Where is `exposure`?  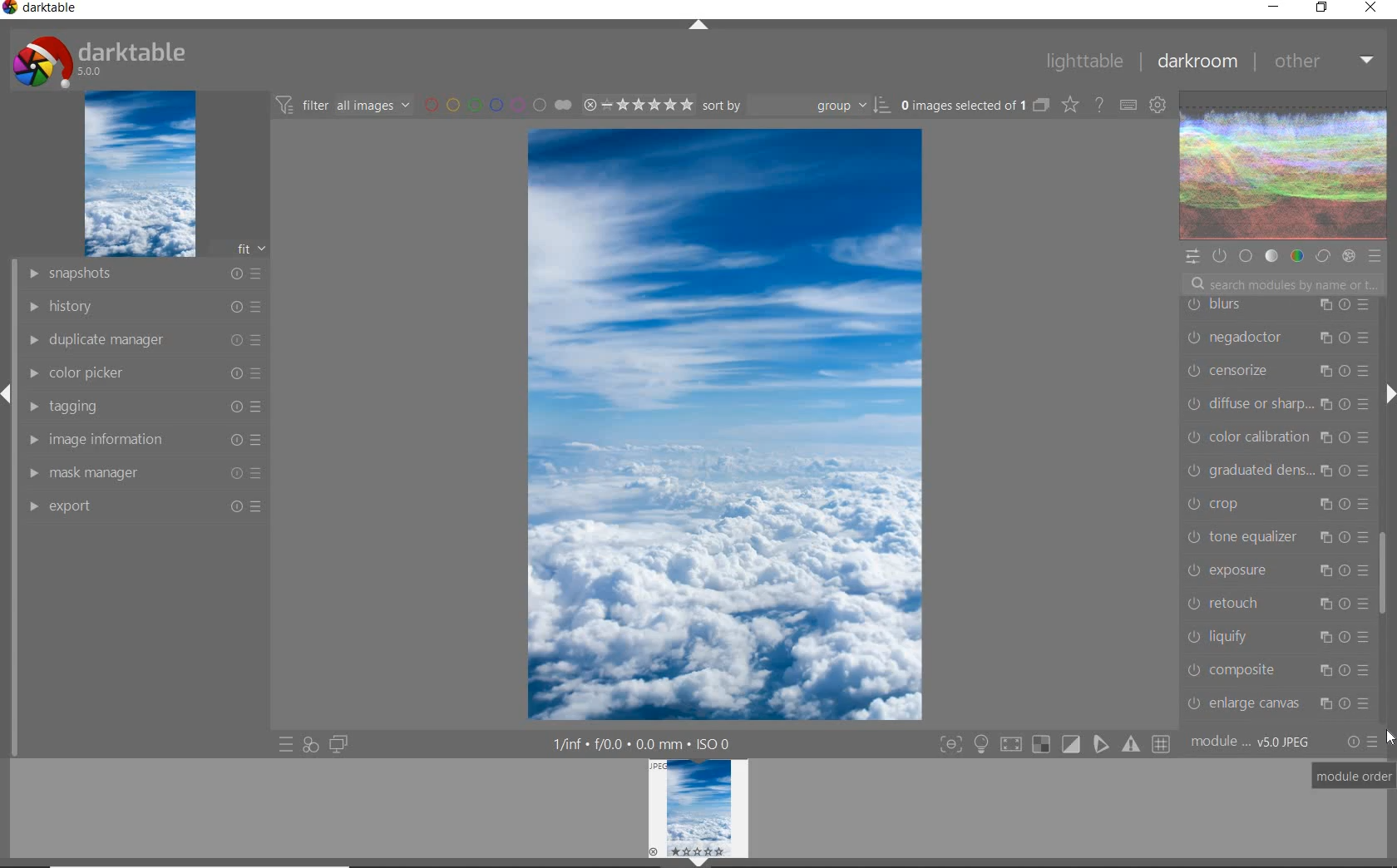 exposure is located at coordinates (1276, 570).